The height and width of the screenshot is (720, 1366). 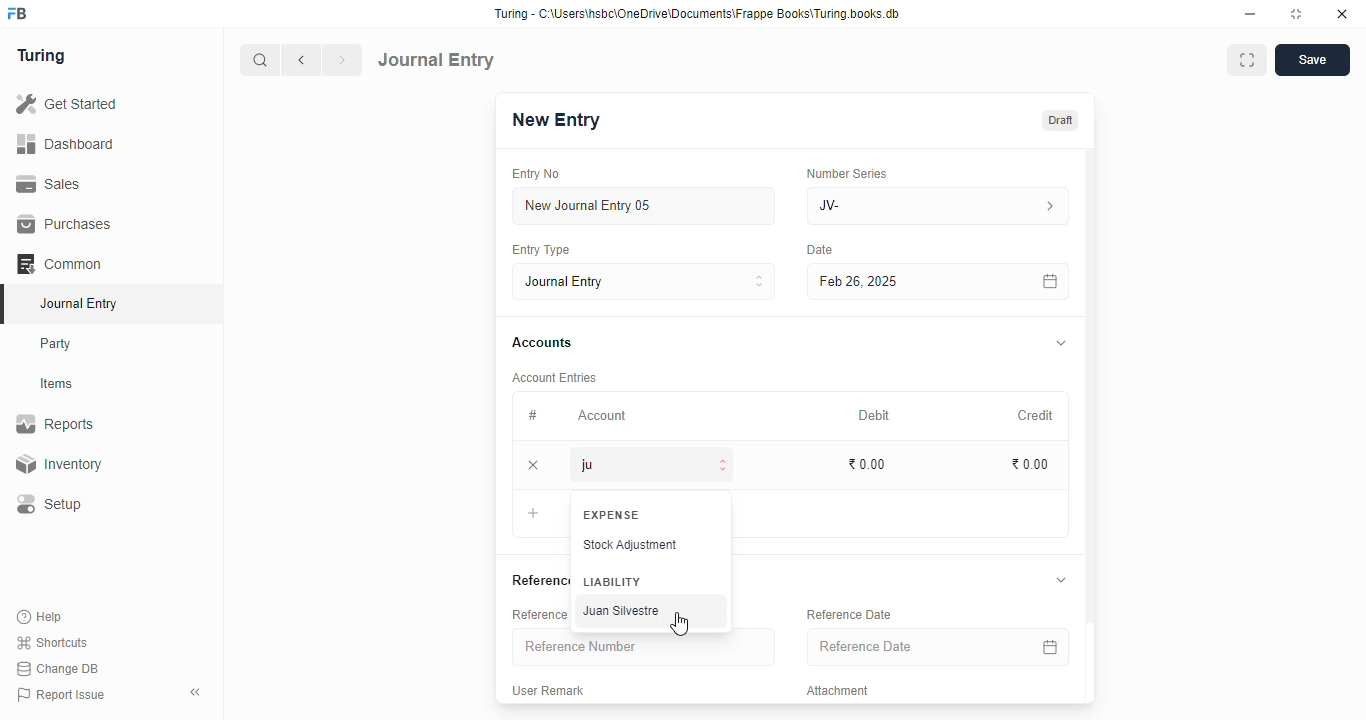 What do you see at coordinates (645, 207) in the screenshot?
I see `new journal entry 05` at bounding box center [645, 207].